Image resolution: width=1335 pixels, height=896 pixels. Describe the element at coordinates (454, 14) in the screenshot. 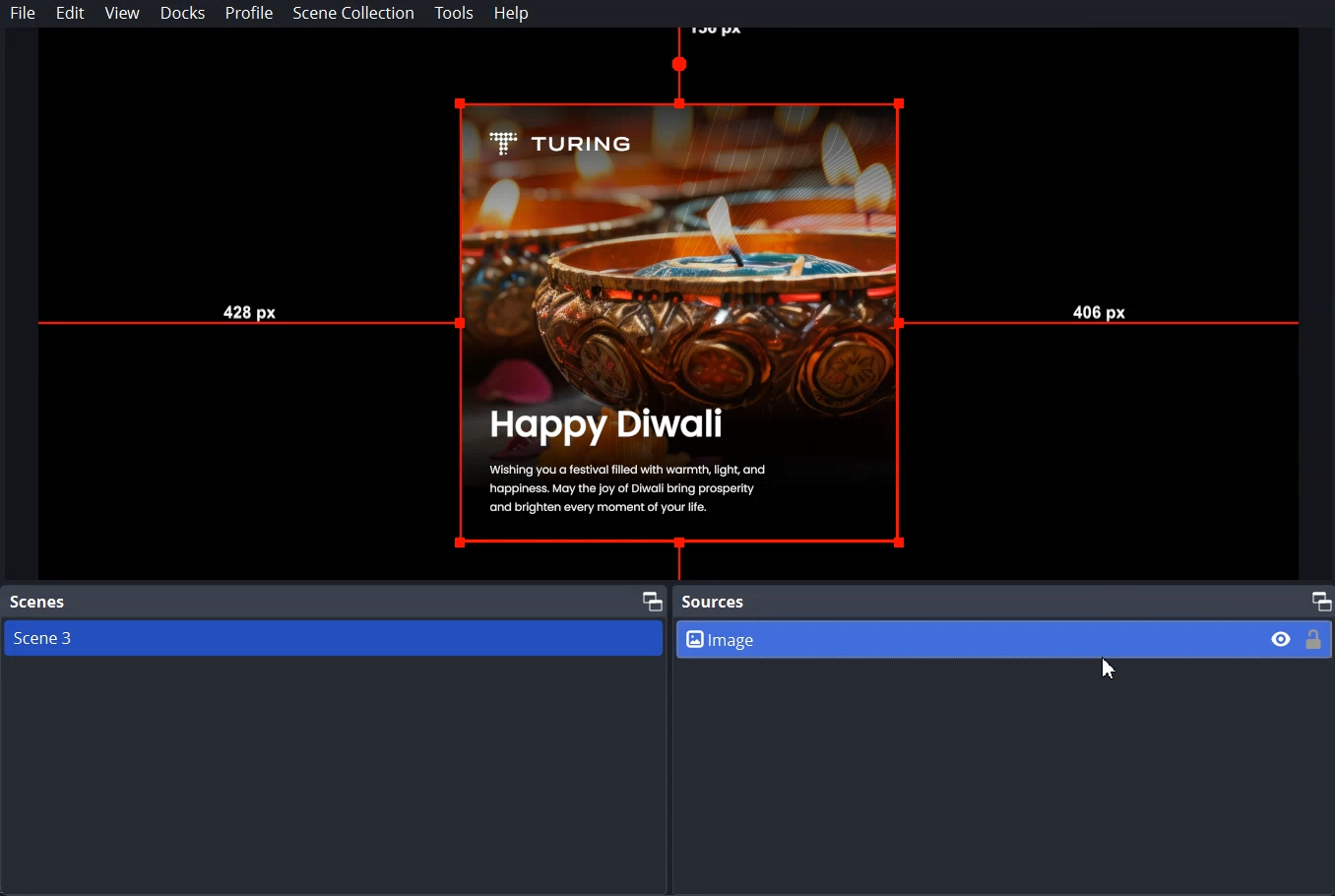

I see `Tools` at that location.